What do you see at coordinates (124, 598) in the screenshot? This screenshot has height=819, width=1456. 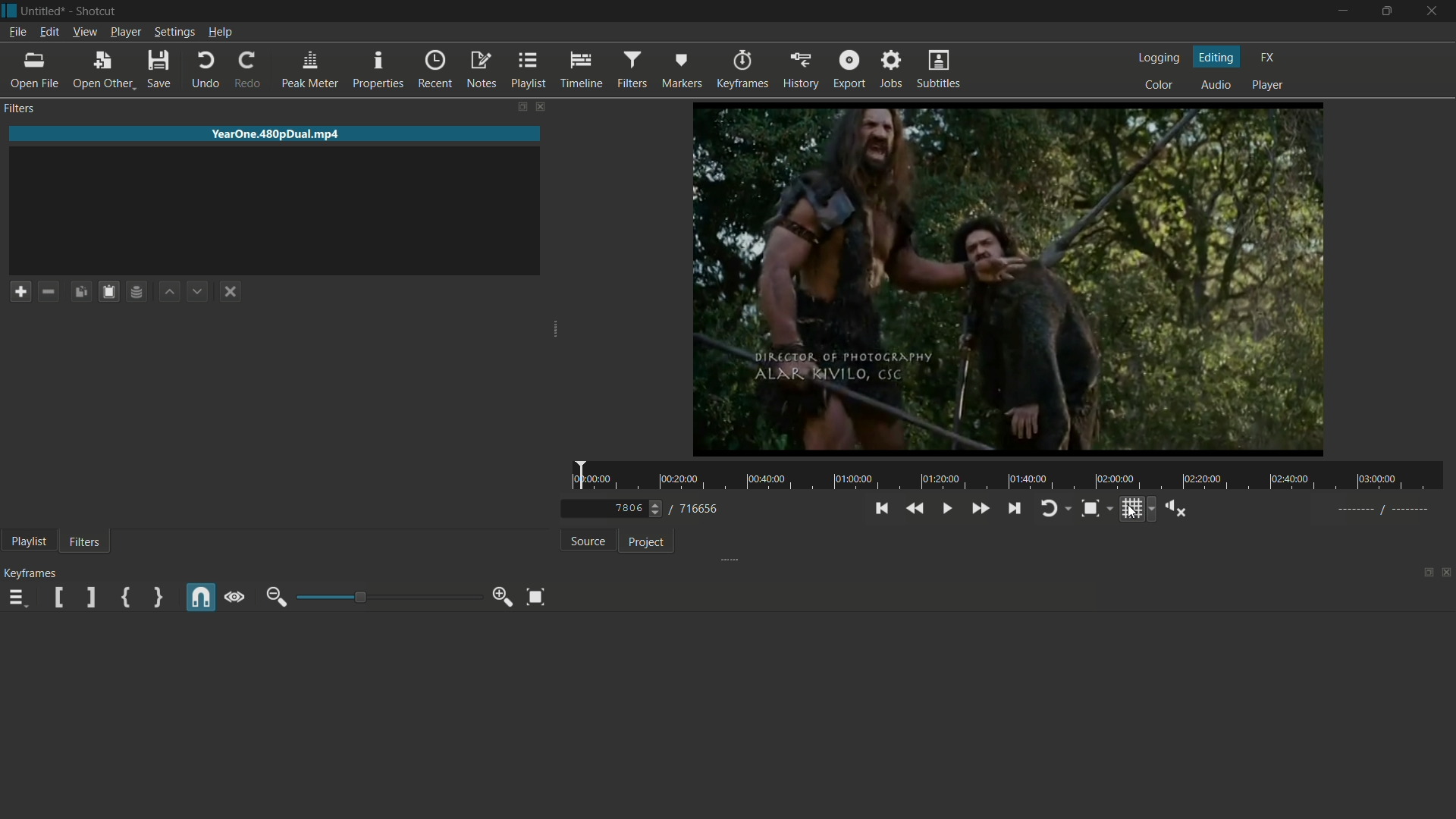 I see `set first simple keyframe` at bounding box center [124, 598].